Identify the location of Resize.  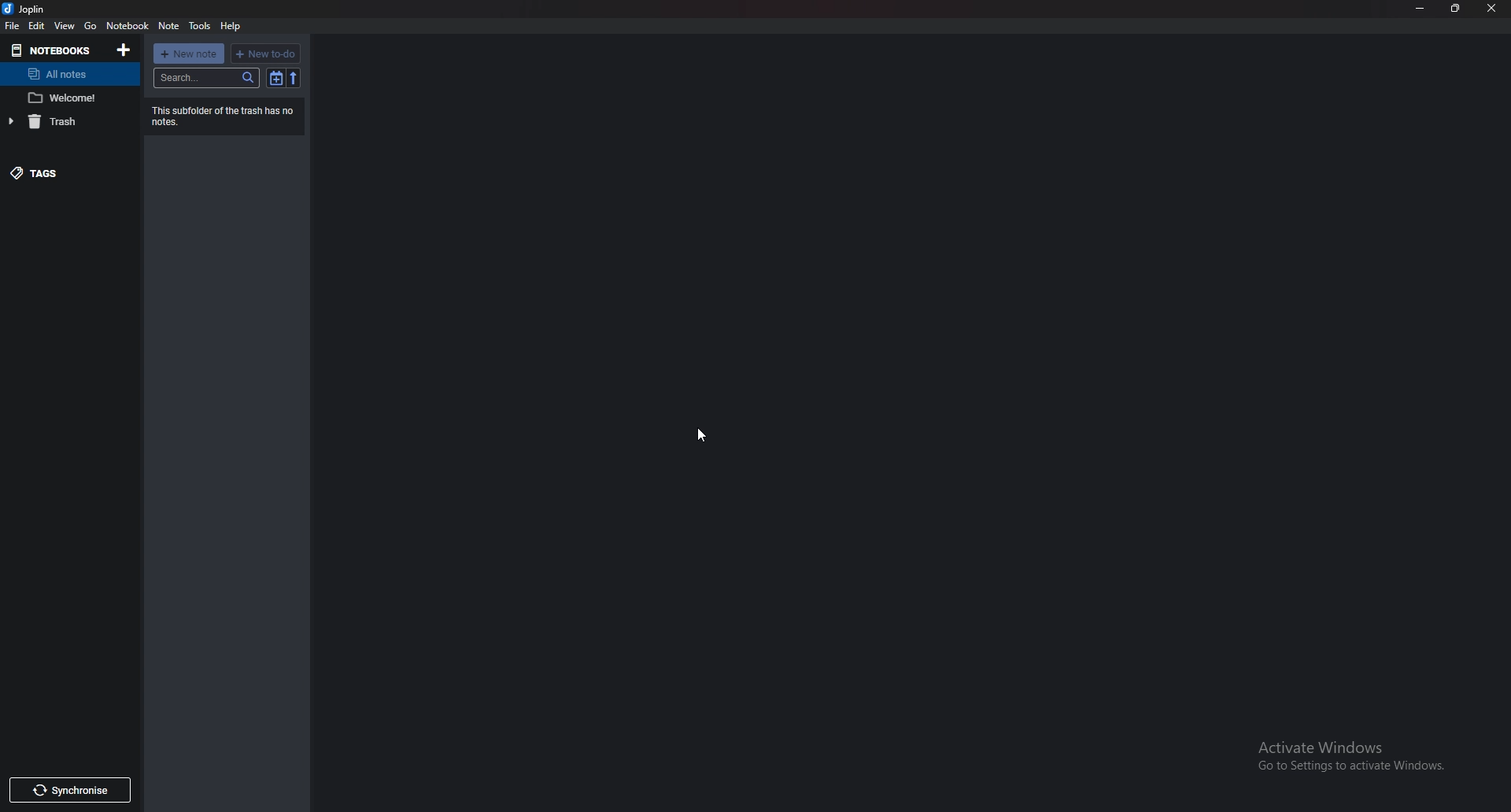
(1454, 9).